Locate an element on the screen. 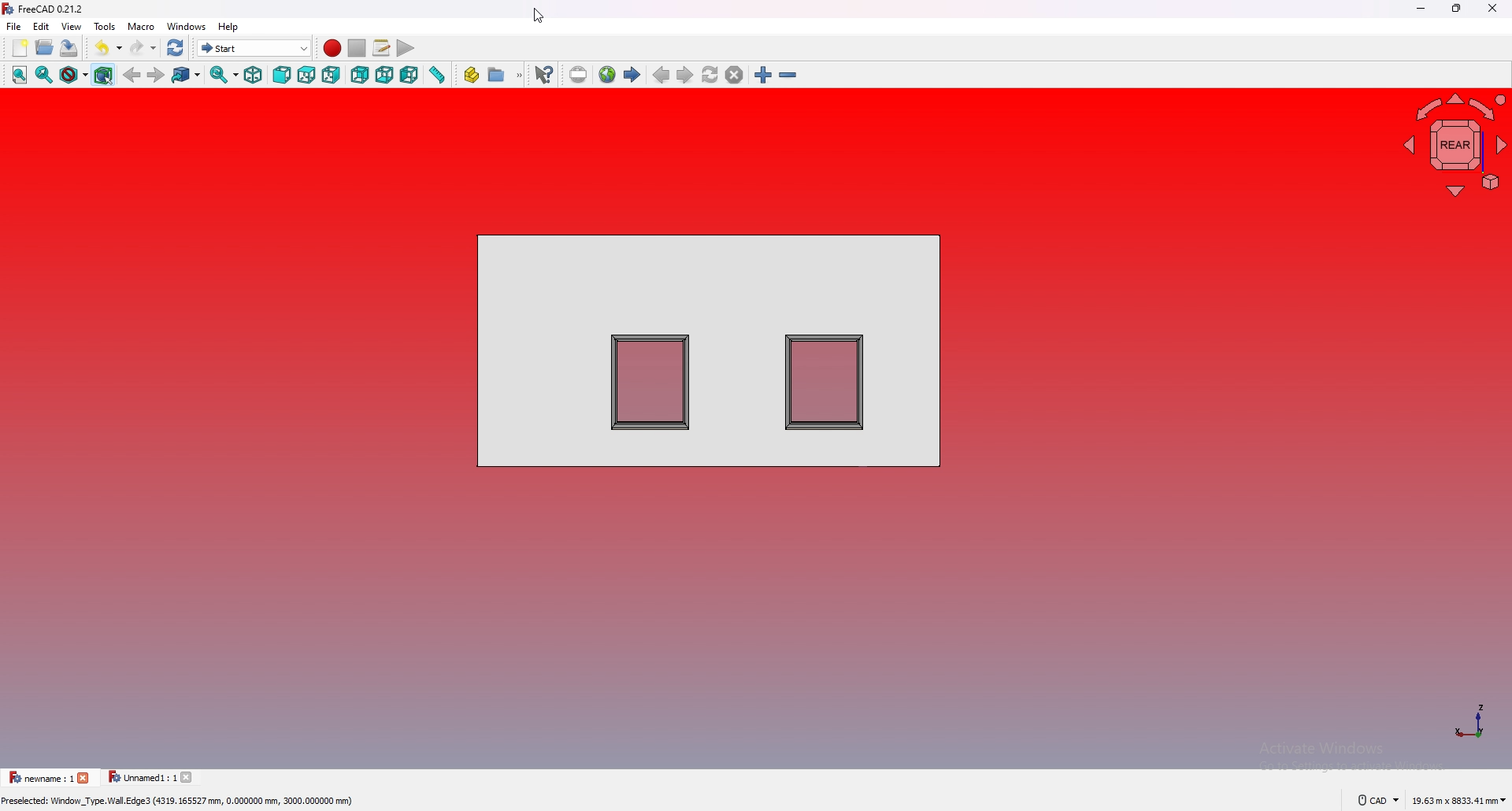 The height and width of the screenshot is (811, 1512). left is located at coordinates (409, 76).